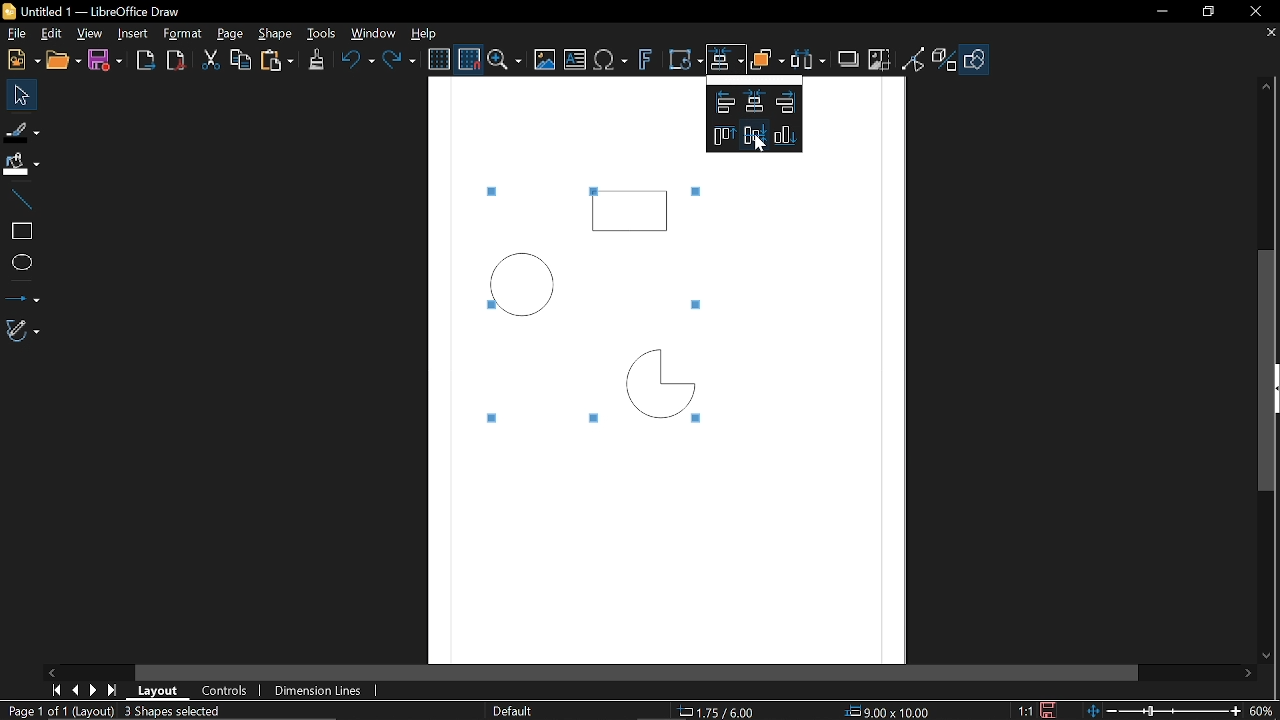 The width and height of the screenshot is (1280, 720). I want to click on Rectangle, so click(628, 212).